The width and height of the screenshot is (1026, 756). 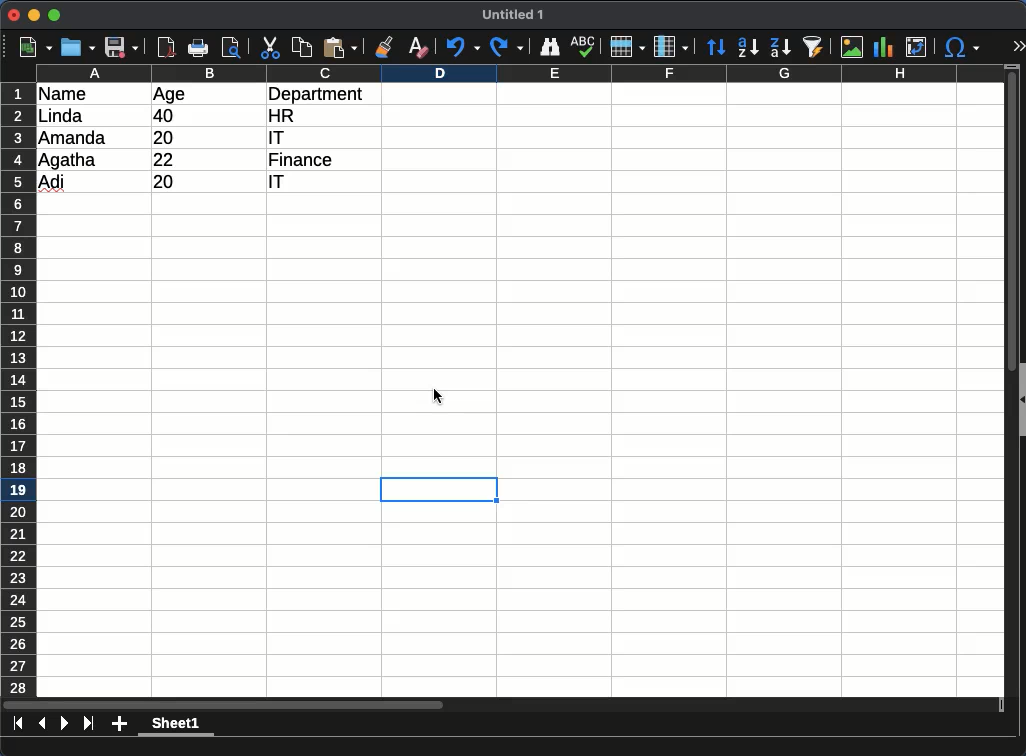 What do you see at coordinates (1020, 398) in the screenshot?
I see `collapse` at bounding box center [1020, 398].